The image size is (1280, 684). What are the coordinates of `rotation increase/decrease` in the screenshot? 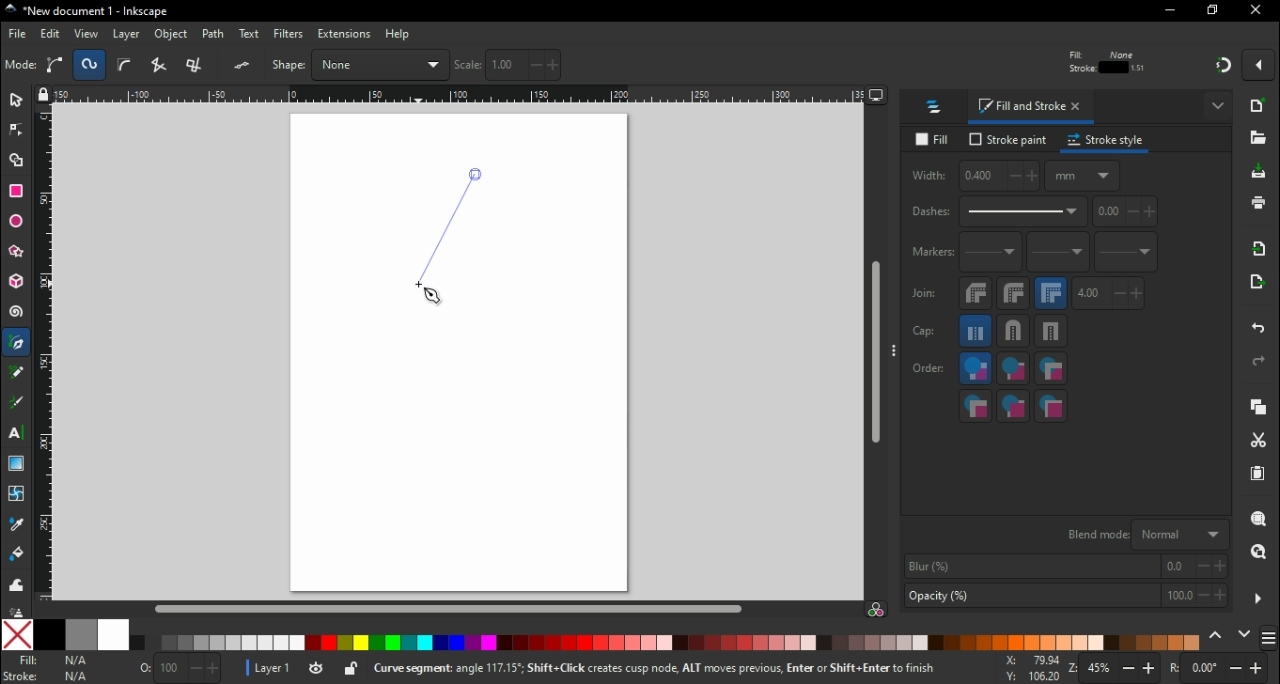 It's located at (1222, 671).